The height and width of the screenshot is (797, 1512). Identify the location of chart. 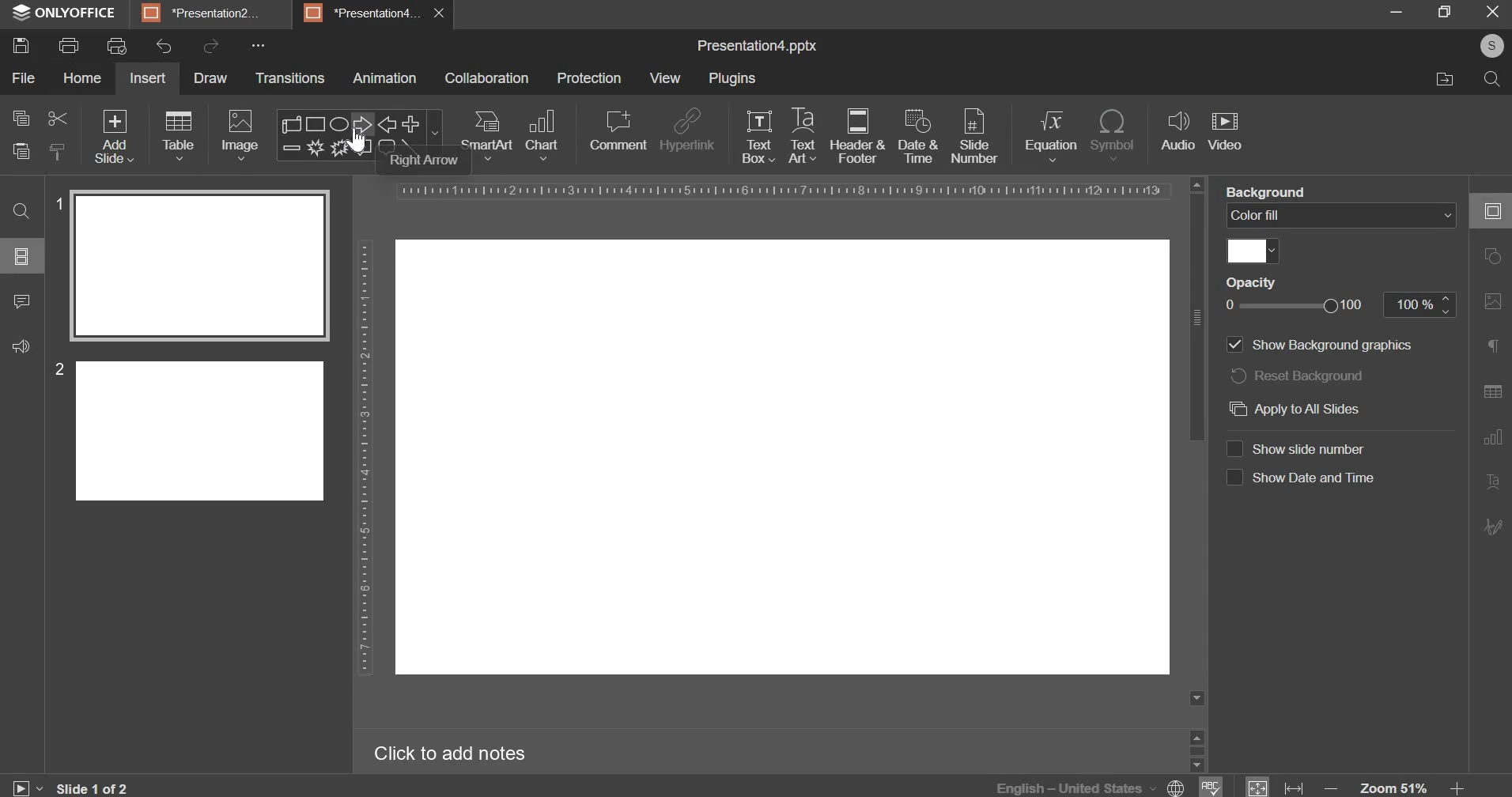
(542, 136).